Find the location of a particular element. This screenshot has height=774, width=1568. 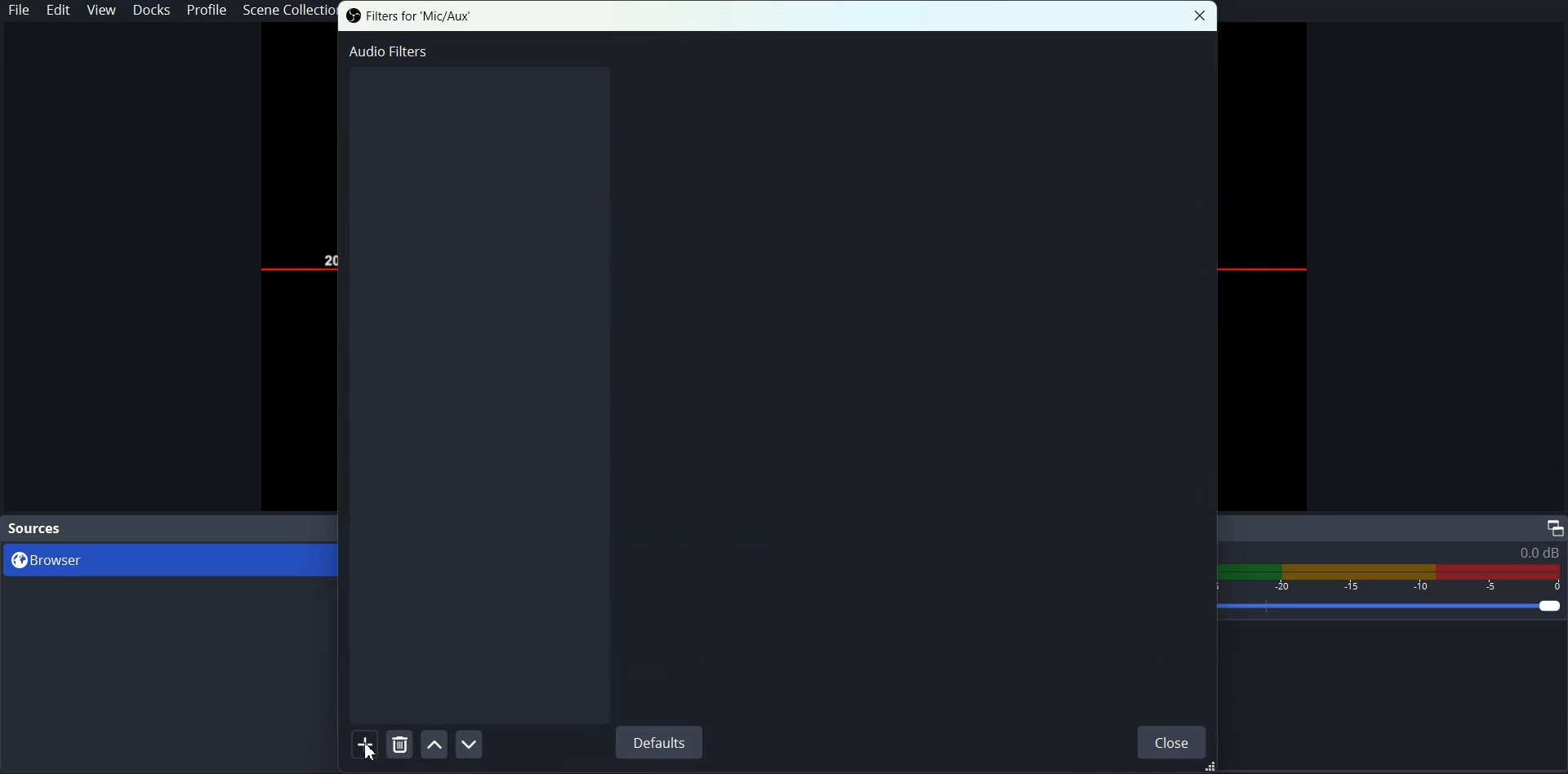

Defaults is located at coordinates (658, 742).